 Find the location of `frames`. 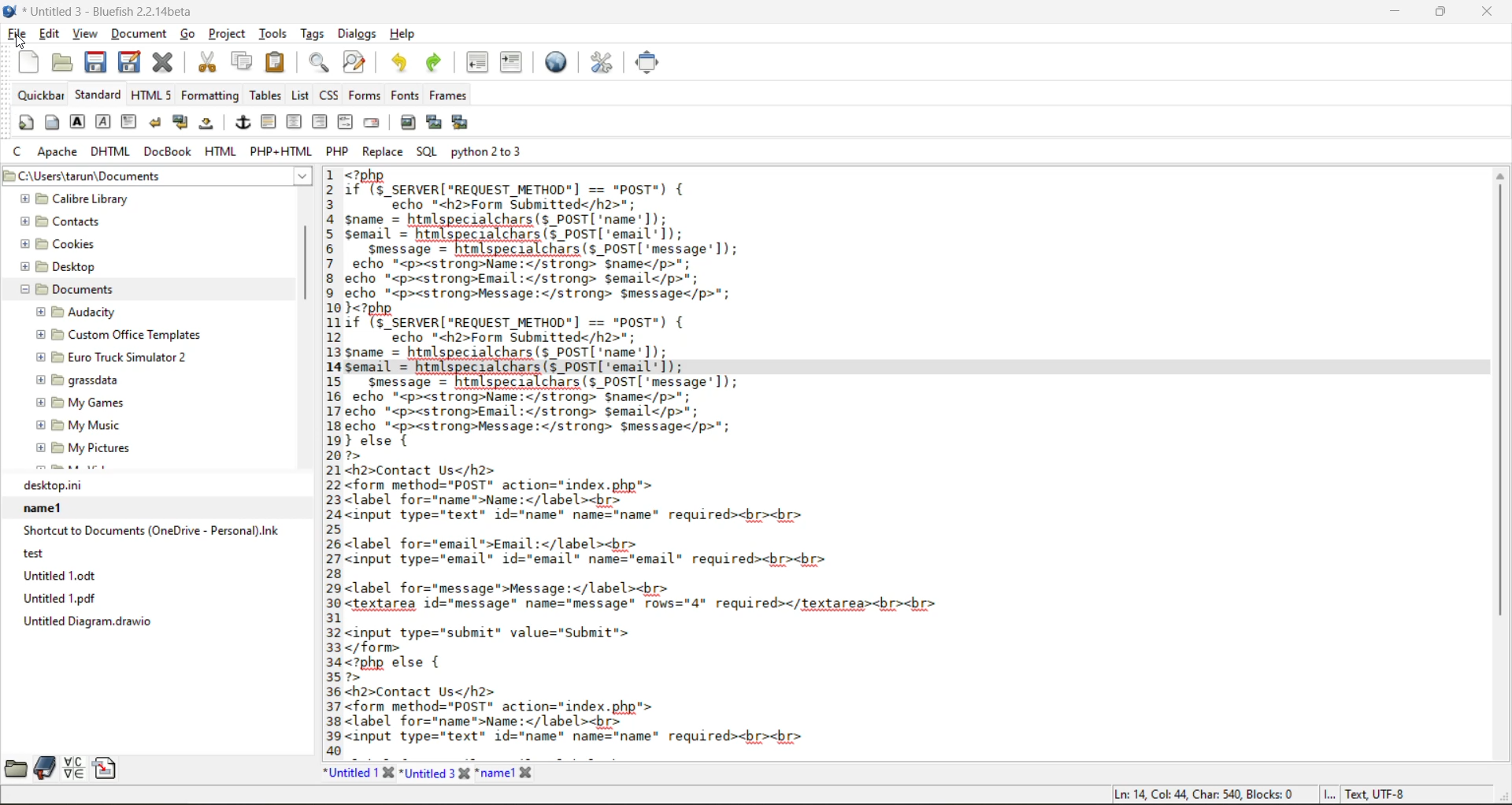

frames is located at coordinates (454, 95).